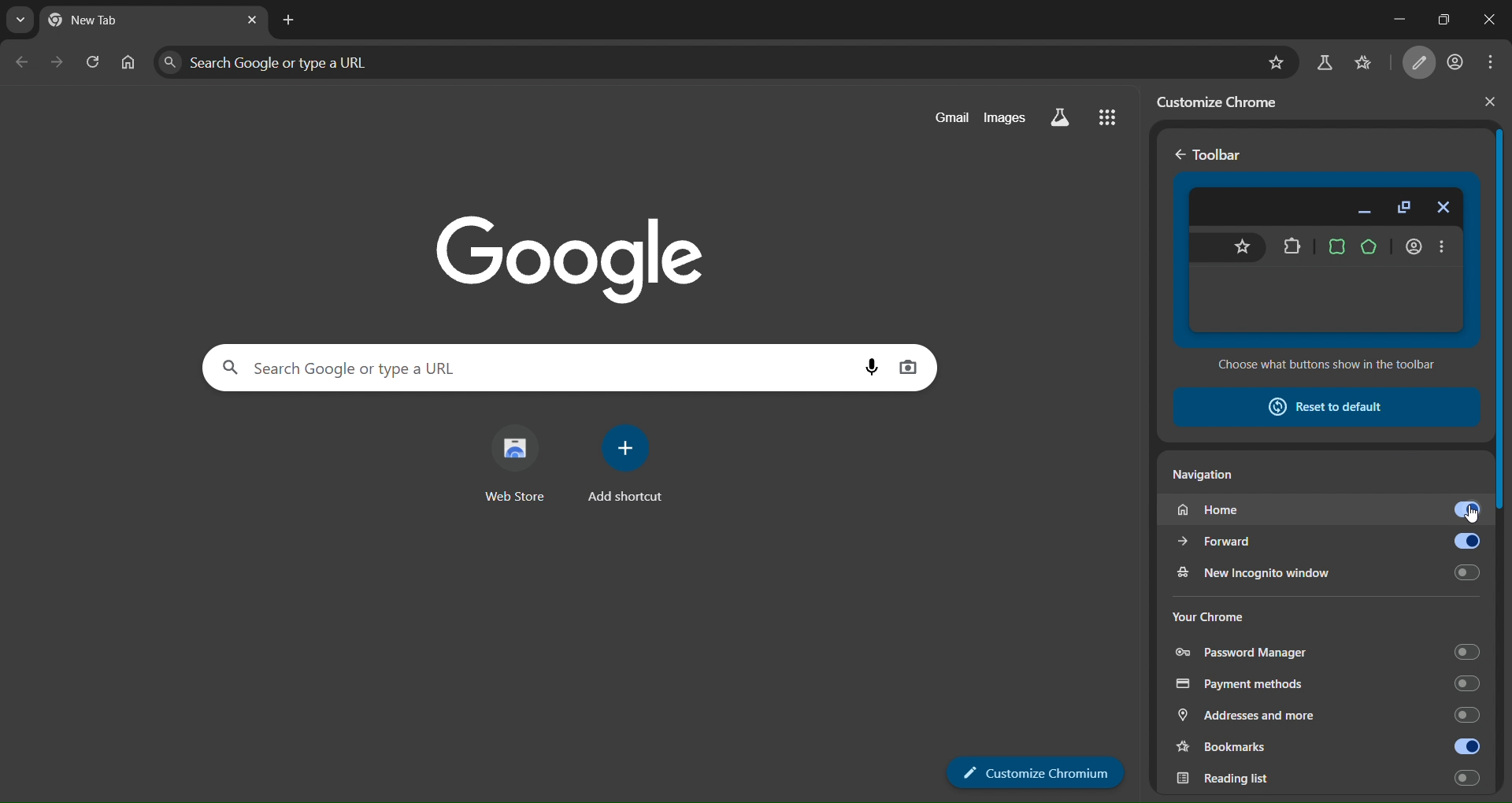  Describe the element at coordinates (1463, 510) in the screenshot. I see `toggle` at that location.